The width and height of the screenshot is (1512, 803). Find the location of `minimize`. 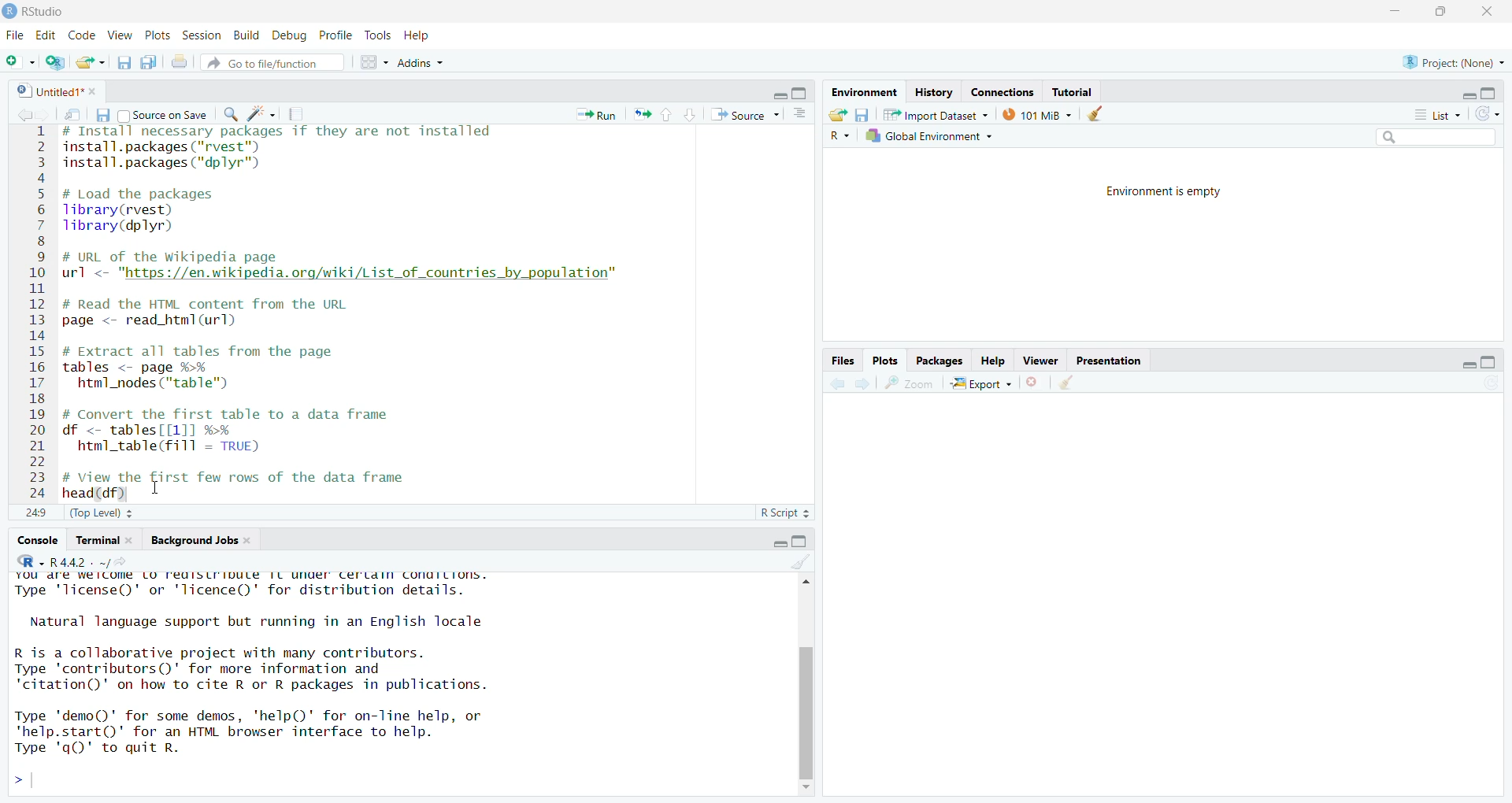

minimize is located at coordinates (778, 95).